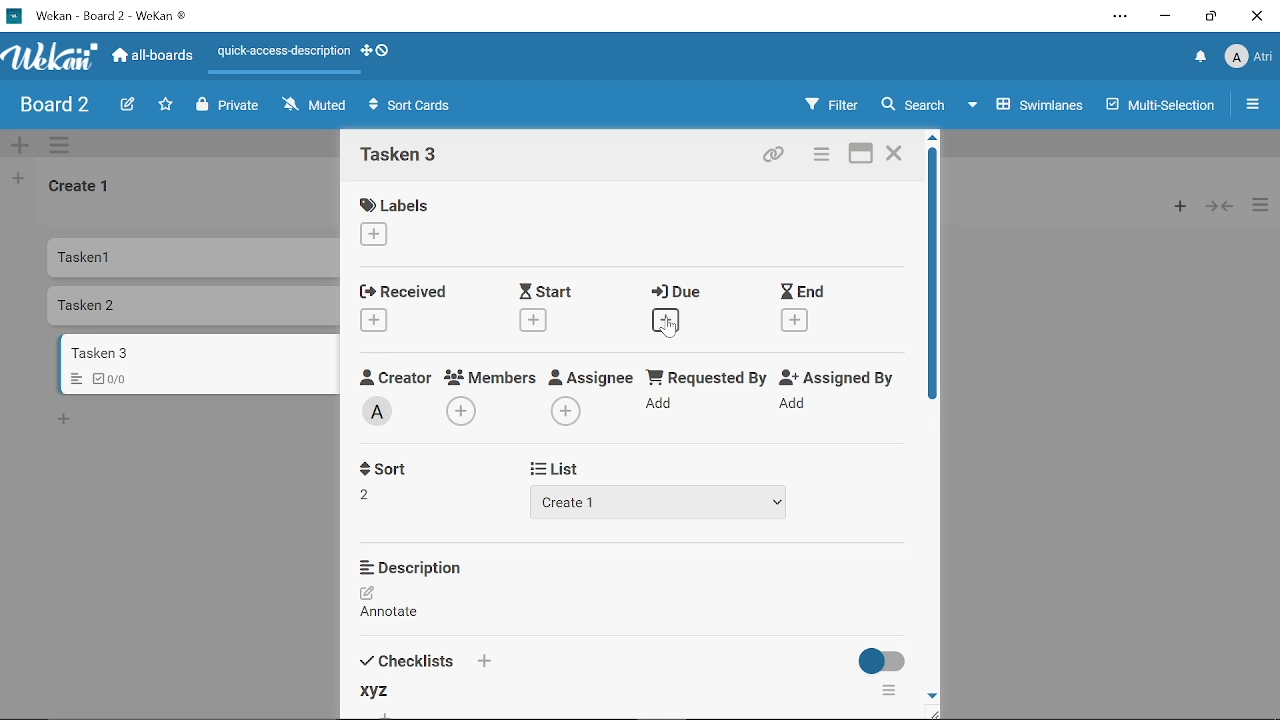  I want to click on Card titled "Tasken 3", so click(197, 353).